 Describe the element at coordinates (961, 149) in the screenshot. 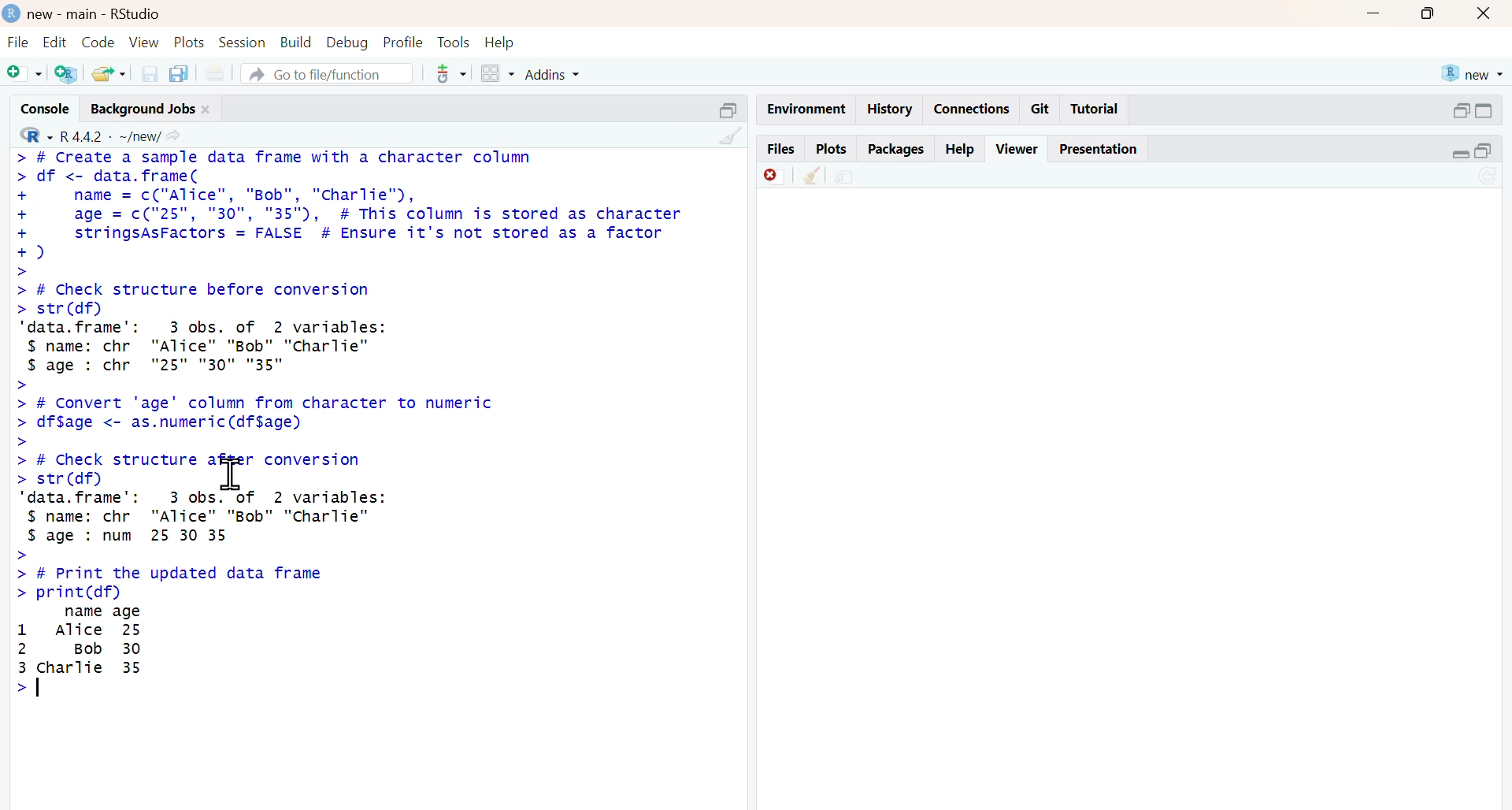

I see `help` at that location.